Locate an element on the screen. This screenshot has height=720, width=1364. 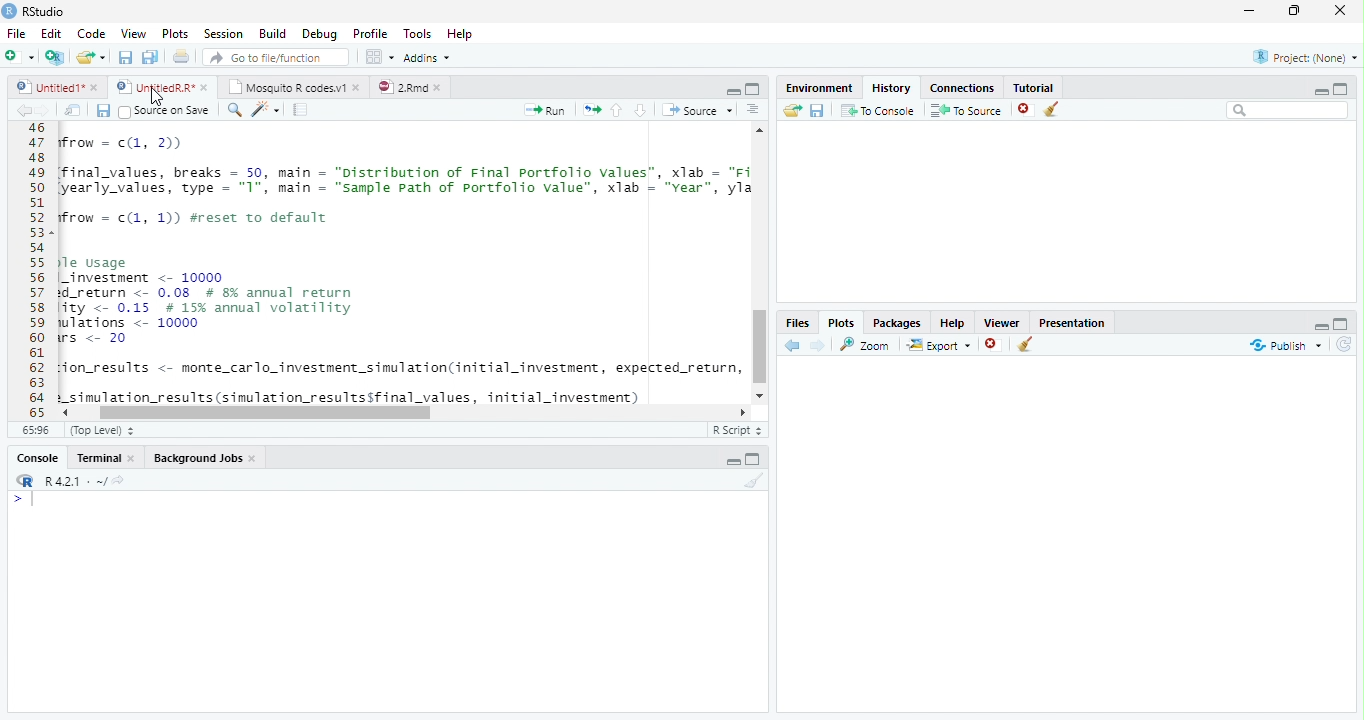
Console is located at coordinates (38, 457).